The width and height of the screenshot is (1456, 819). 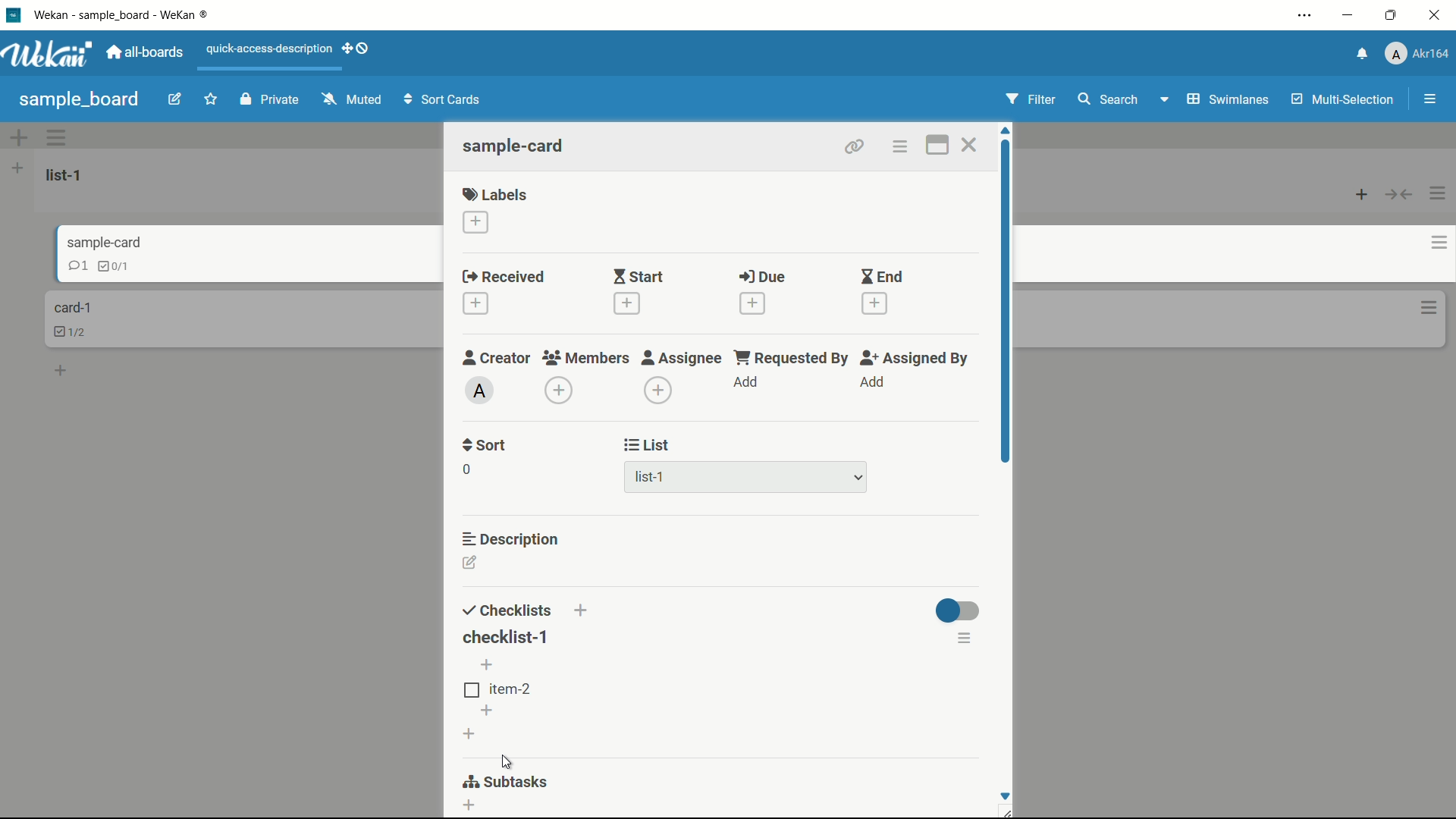 I want to click on add date, so click(x=875, y=303).